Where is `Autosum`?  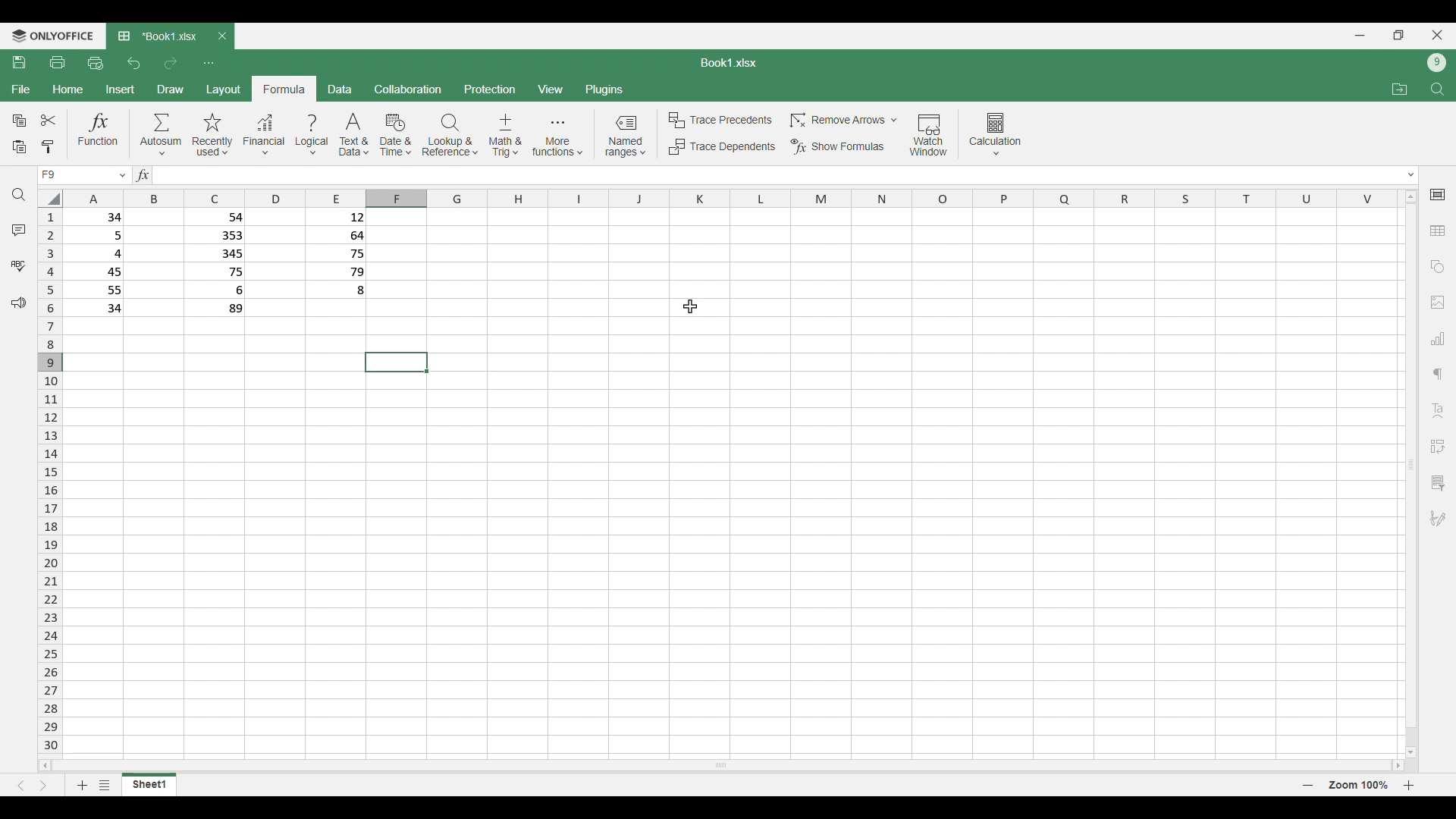
Autosum is located at coordinates (162, 133).